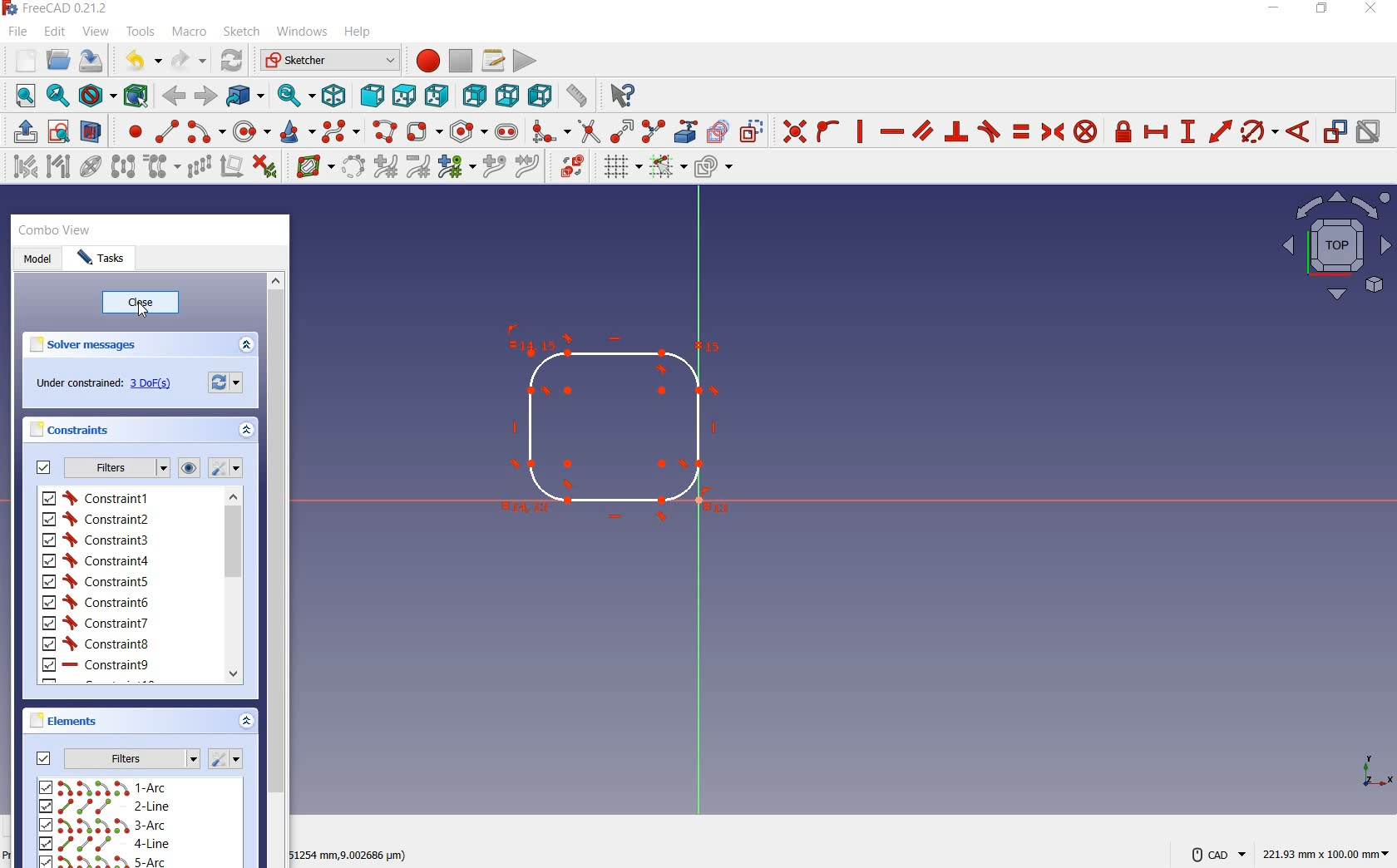 This screenshot has width=1397, height=868. I want to click on show/hide b-spline information layer, so click(310, 166).